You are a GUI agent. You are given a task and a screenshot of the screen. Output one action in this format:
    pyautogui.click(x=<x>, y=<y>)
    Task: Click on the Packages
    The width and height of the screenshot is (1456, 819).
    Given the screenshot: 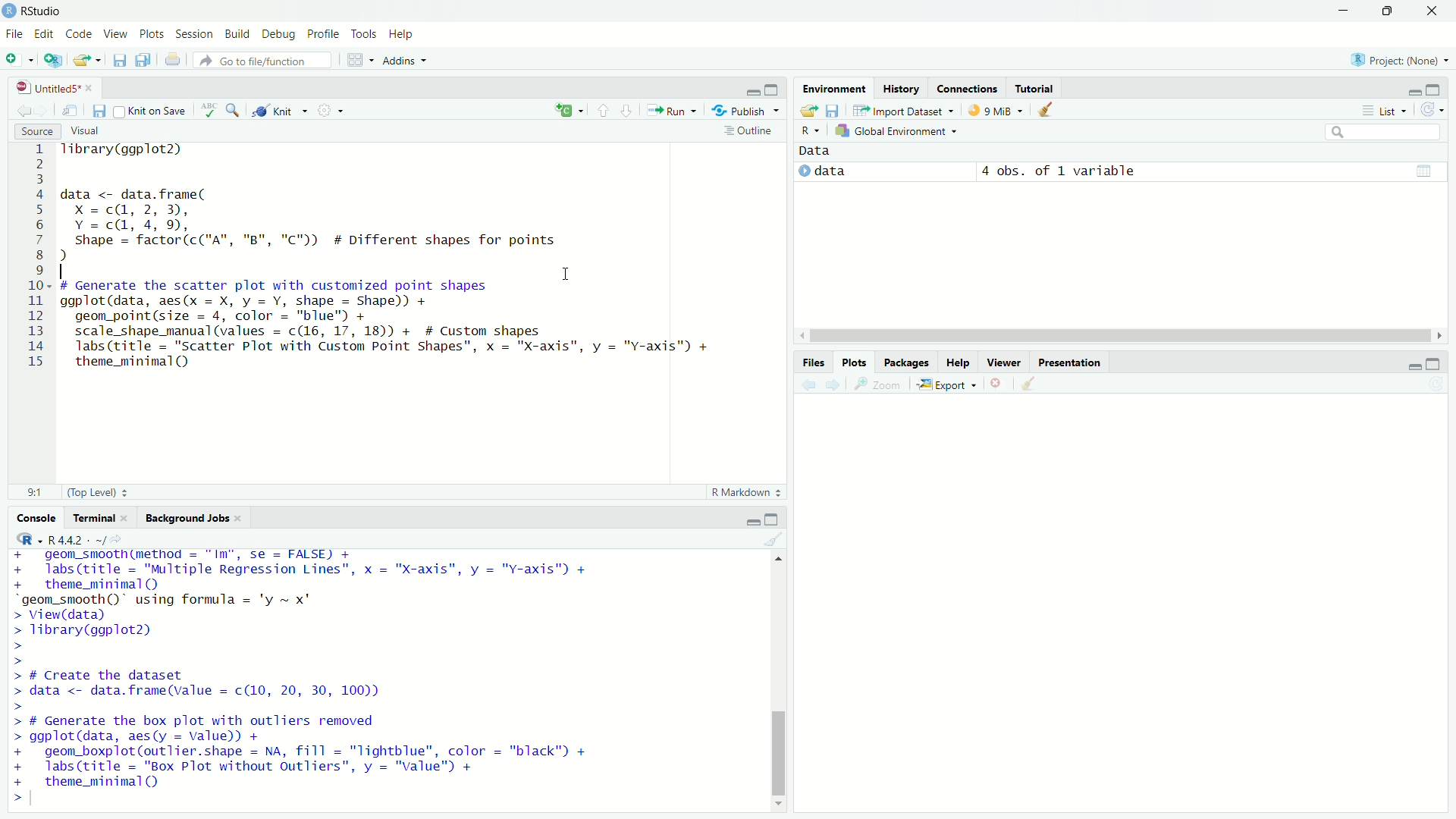 What is the action you would take?
    pyautogui.click(x=906, y=362)
    